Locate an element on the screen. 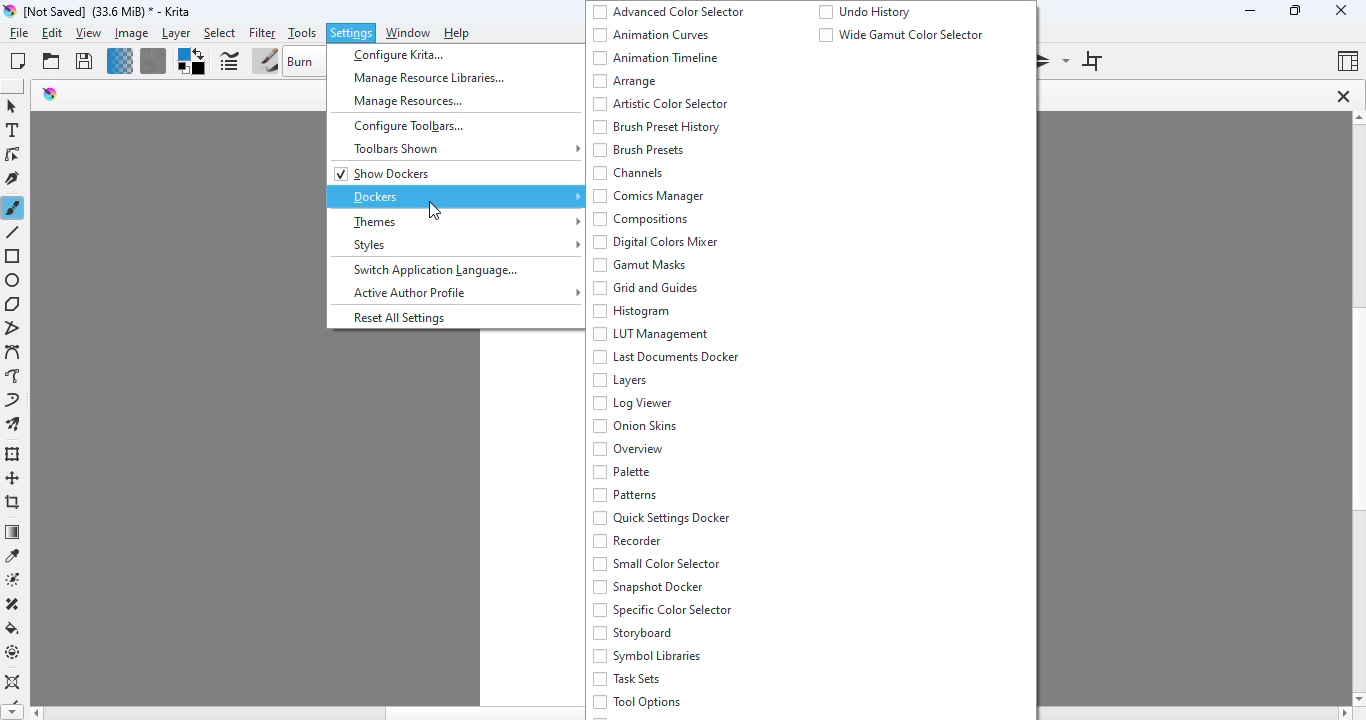  onion skins is located at coordinates (636, 426).